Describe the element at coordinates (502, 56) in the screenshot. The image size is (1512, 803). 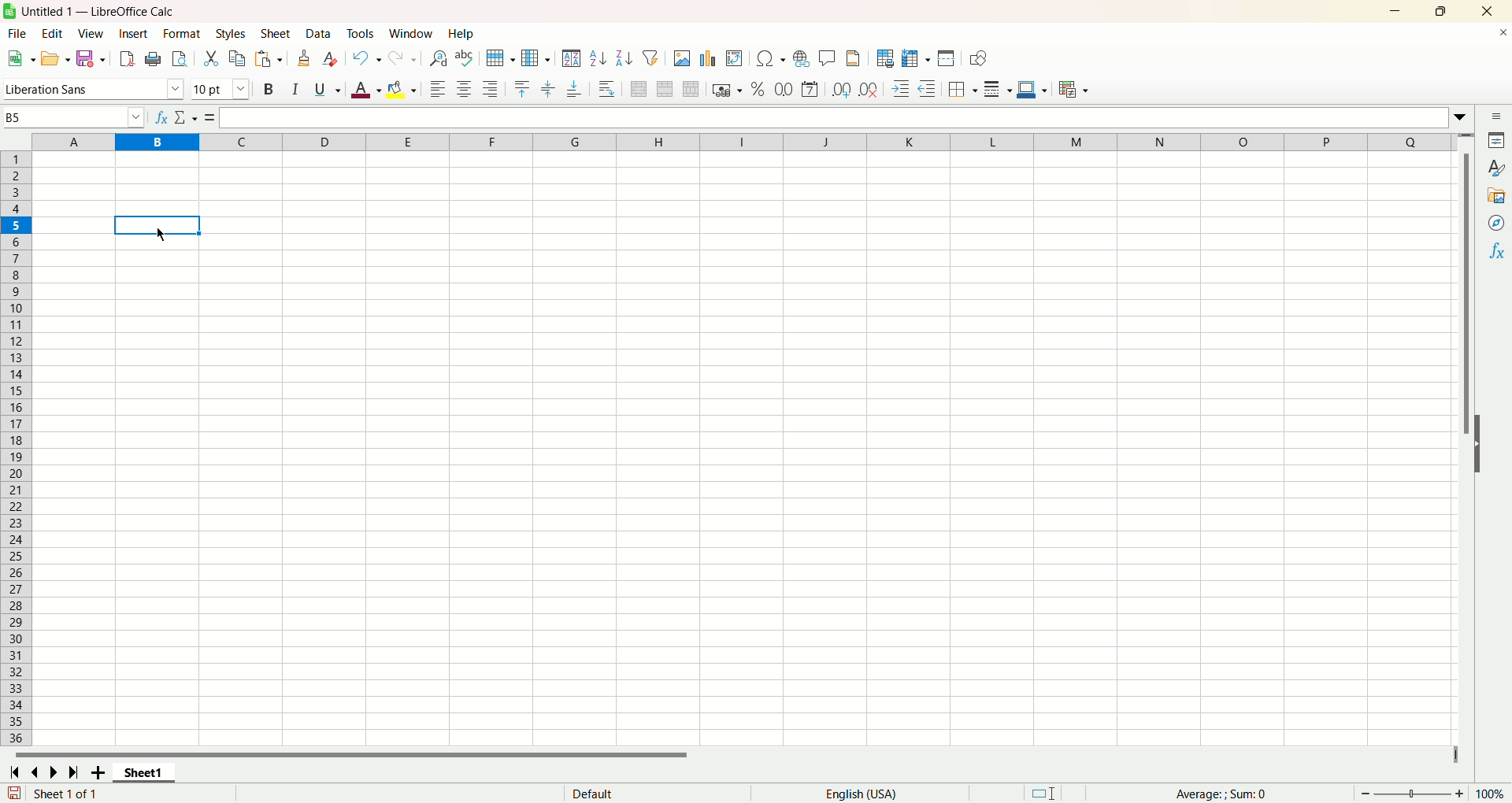
I see `row` at that location.